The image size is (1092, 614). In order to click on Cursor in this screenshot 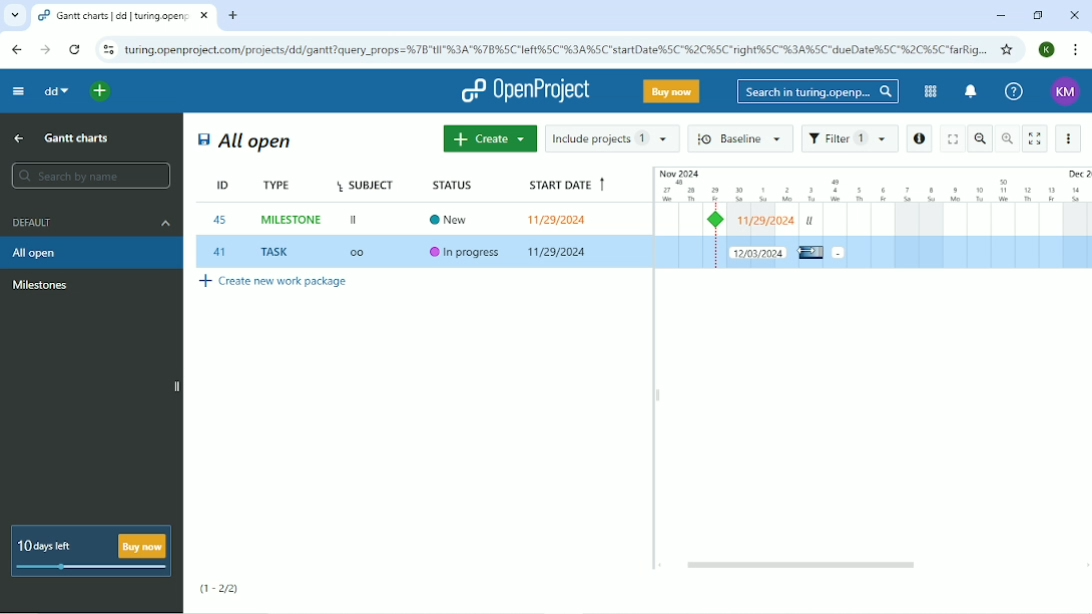, I will do `click(809, 253)`.